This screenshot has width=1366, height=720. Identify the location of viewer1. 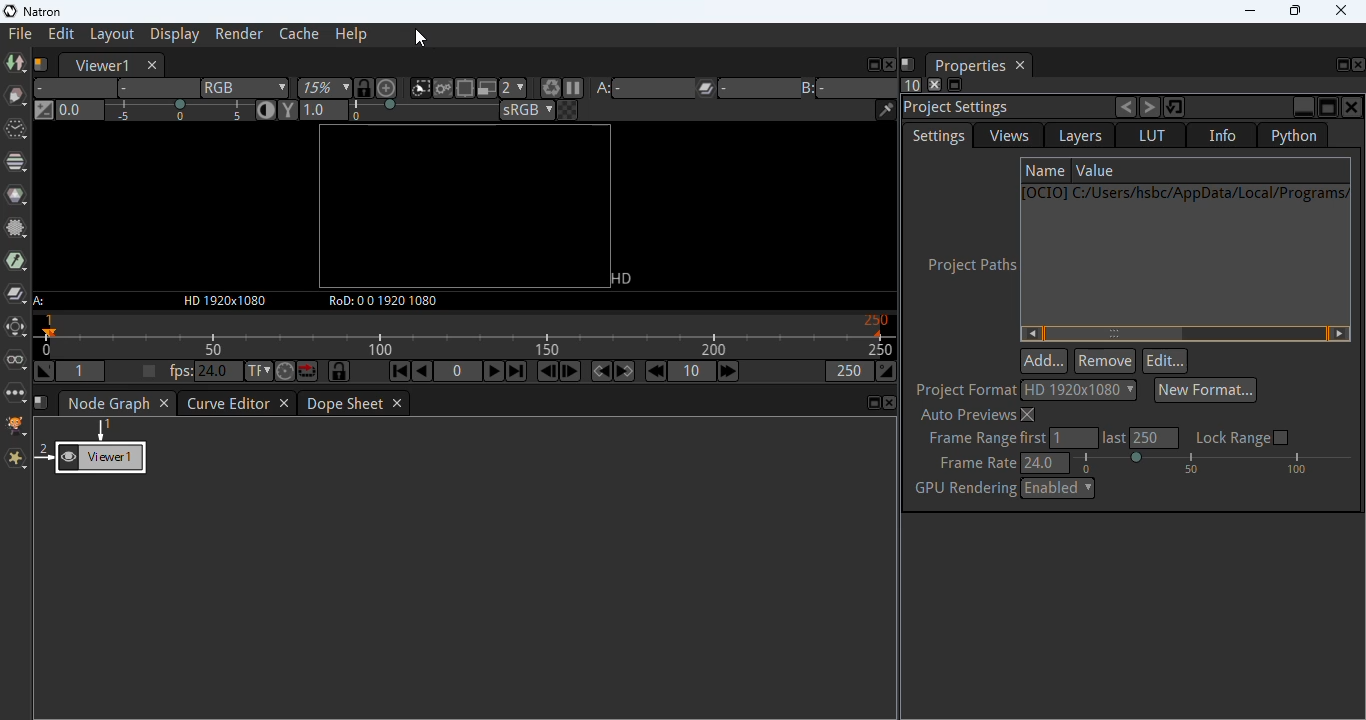
(102, 65).